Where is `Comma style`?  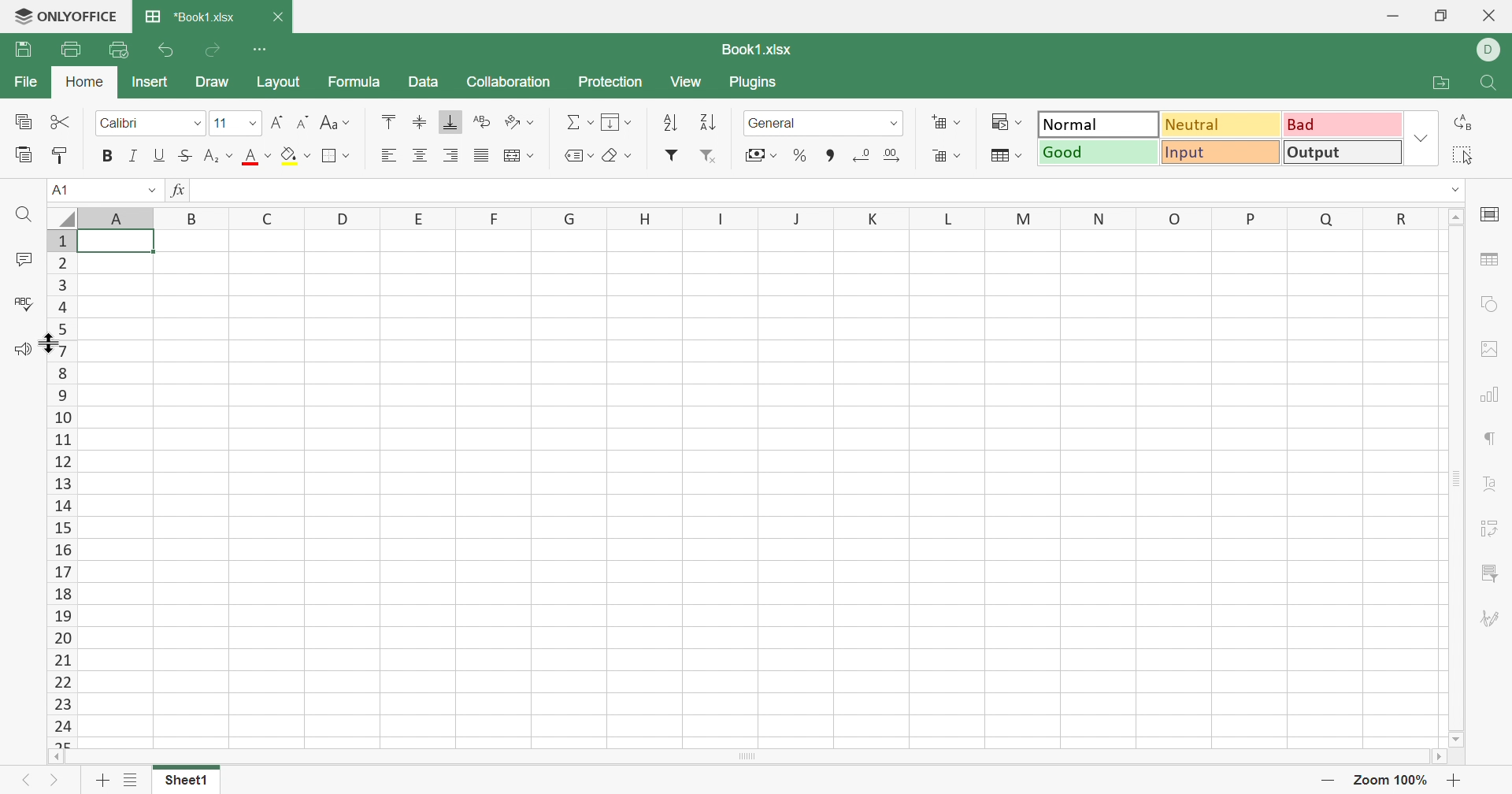 Comma style is located at coordinates (833, 155).